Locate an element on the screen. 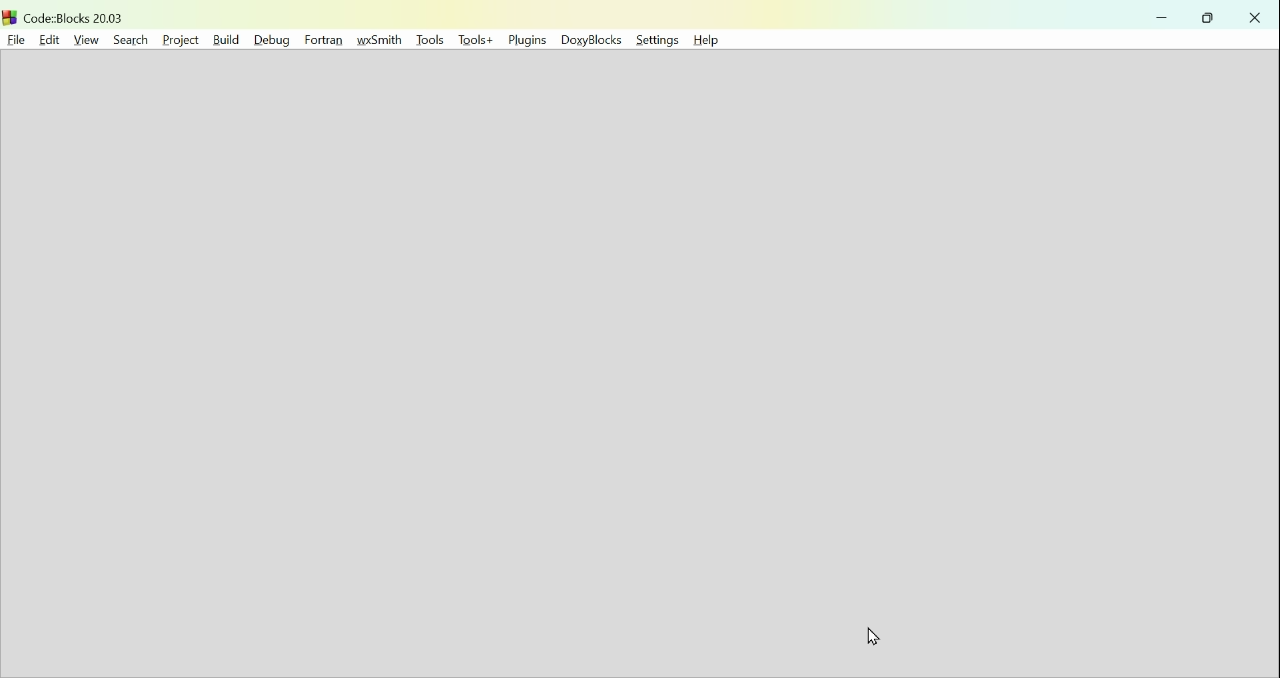 The width and height of the screenshot is (1280, 678). Debug is located at coordinates (269, 38).